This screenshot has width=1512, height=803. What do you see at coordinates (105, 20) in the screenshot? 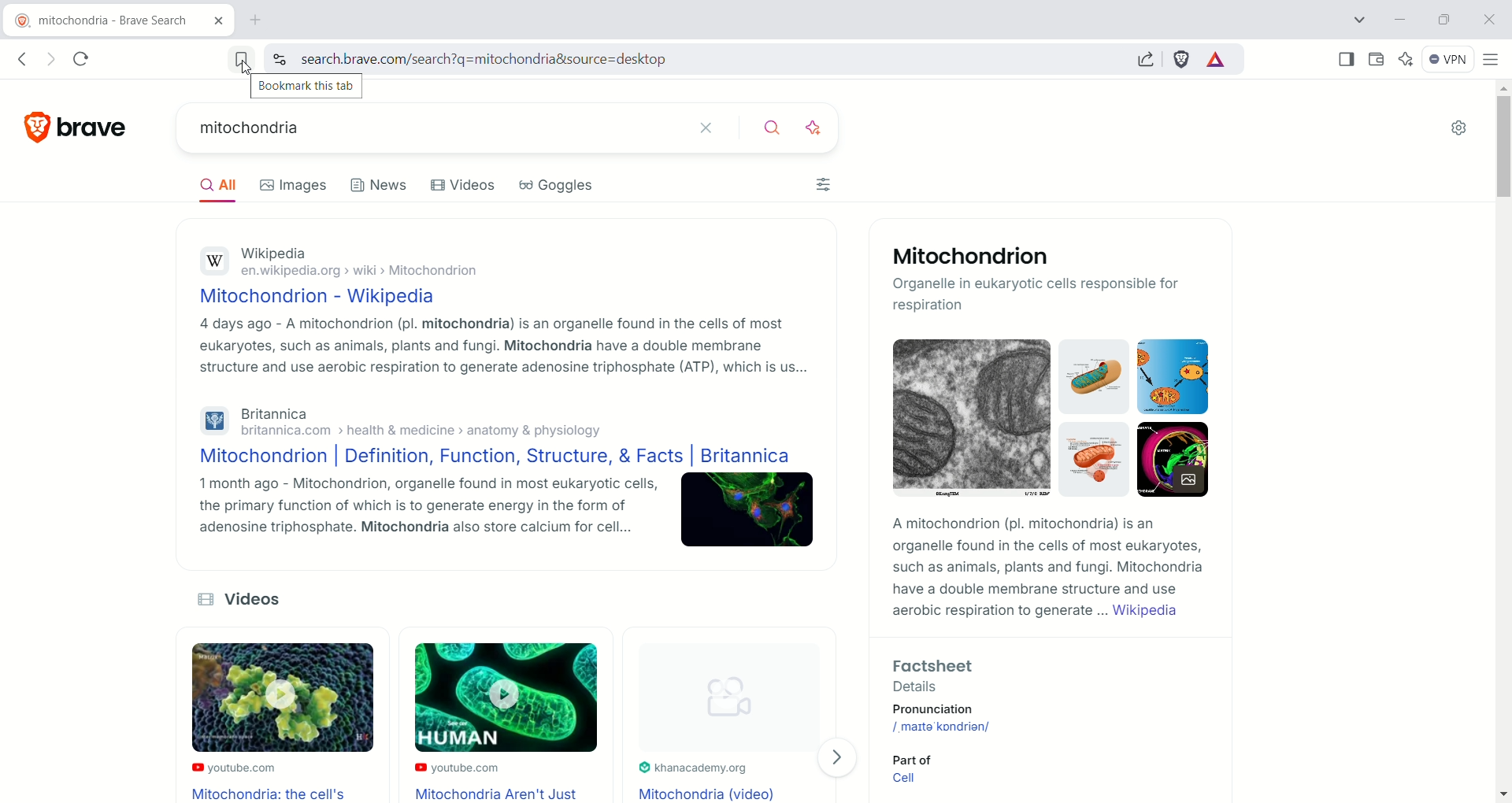
I see `current tab` at bounding box center [105, 20].